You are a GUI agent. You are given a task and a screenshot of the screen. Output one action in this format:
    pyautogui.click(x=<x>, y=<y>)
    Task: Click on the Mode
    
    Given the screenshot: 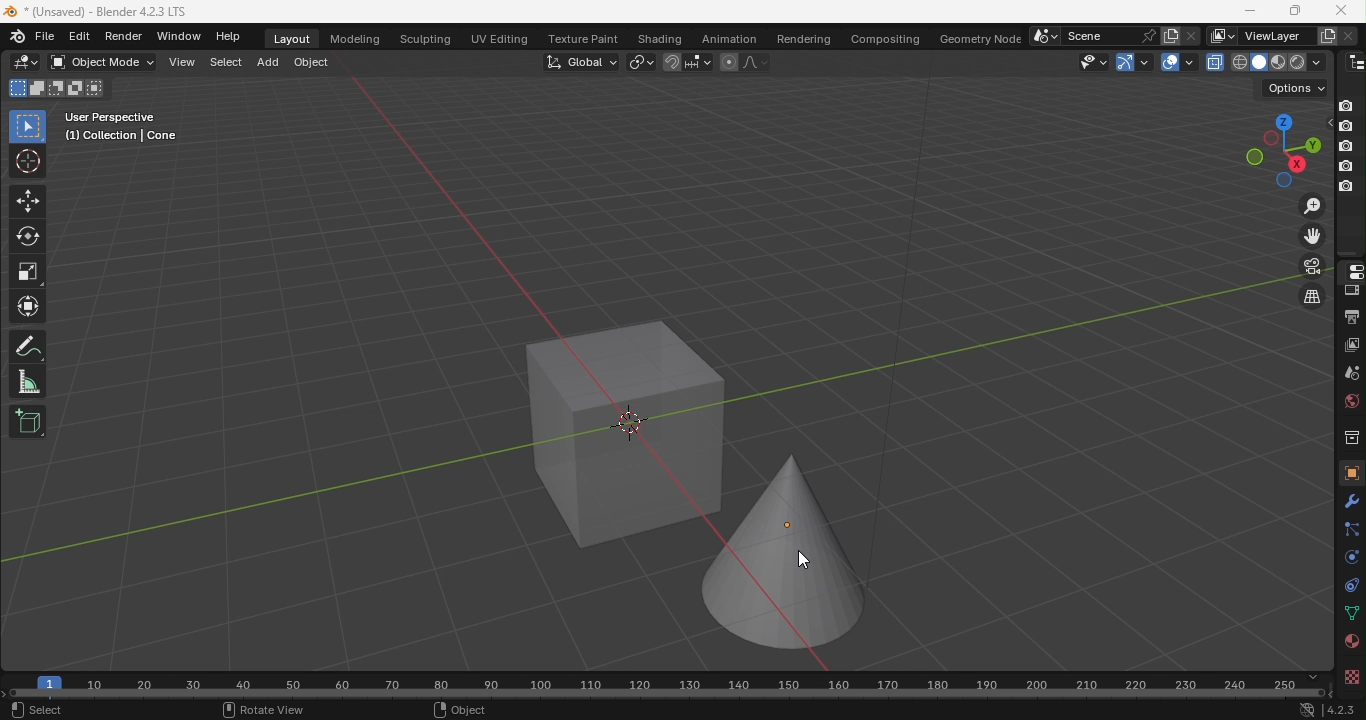 What is the action you would take?
    pyautogui.click(x=99, y=88)
    